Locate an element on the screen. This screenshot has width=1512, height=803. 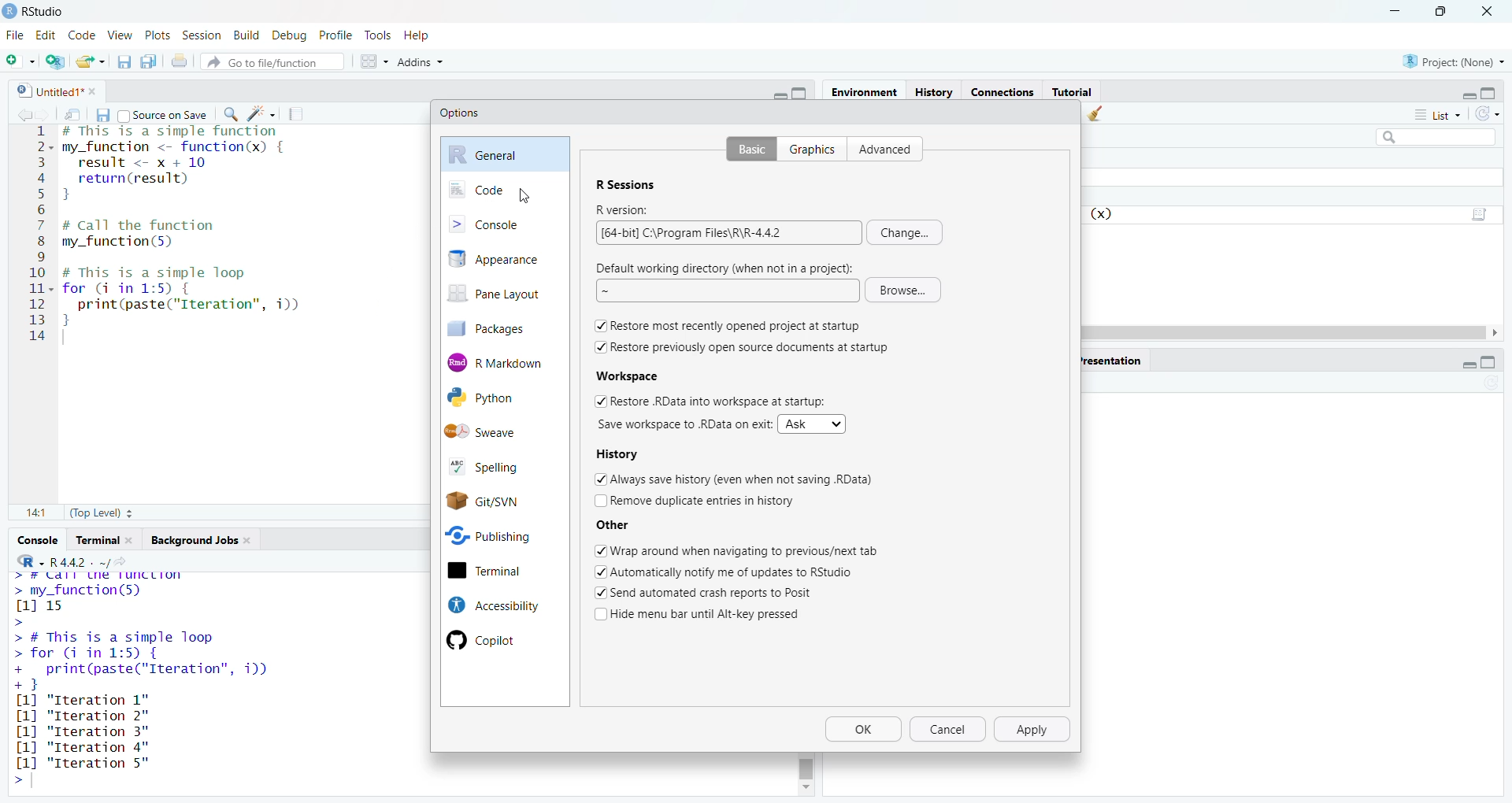
R Sessions is located at coordinates (631, 184).